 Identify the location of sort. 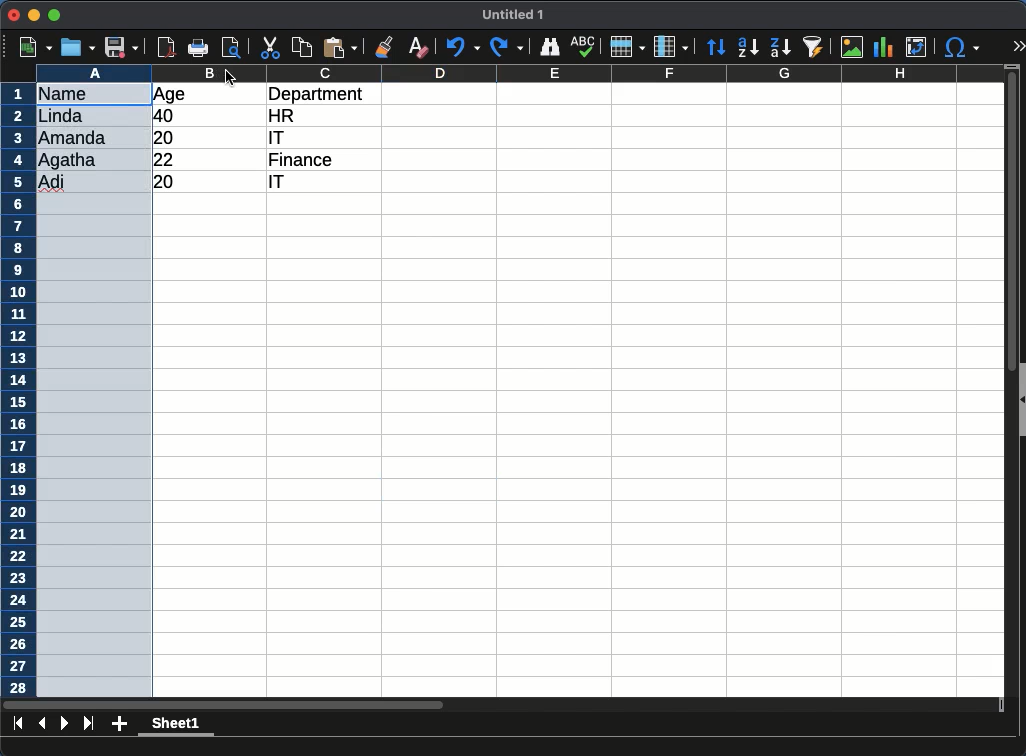
(816, 47).